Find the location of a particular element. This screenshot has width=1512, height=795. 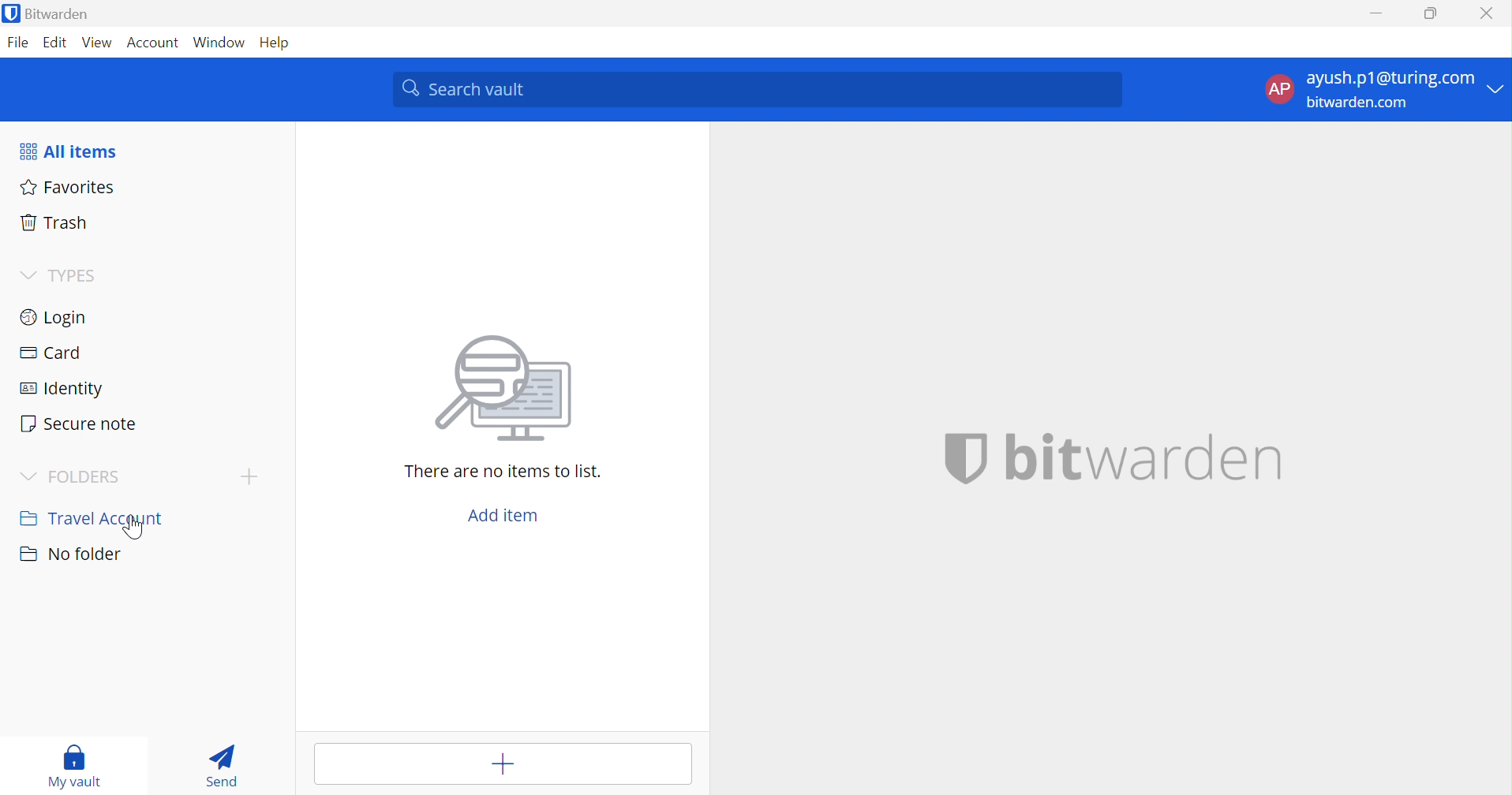

Minimize is located at coordinates (1374, 15).